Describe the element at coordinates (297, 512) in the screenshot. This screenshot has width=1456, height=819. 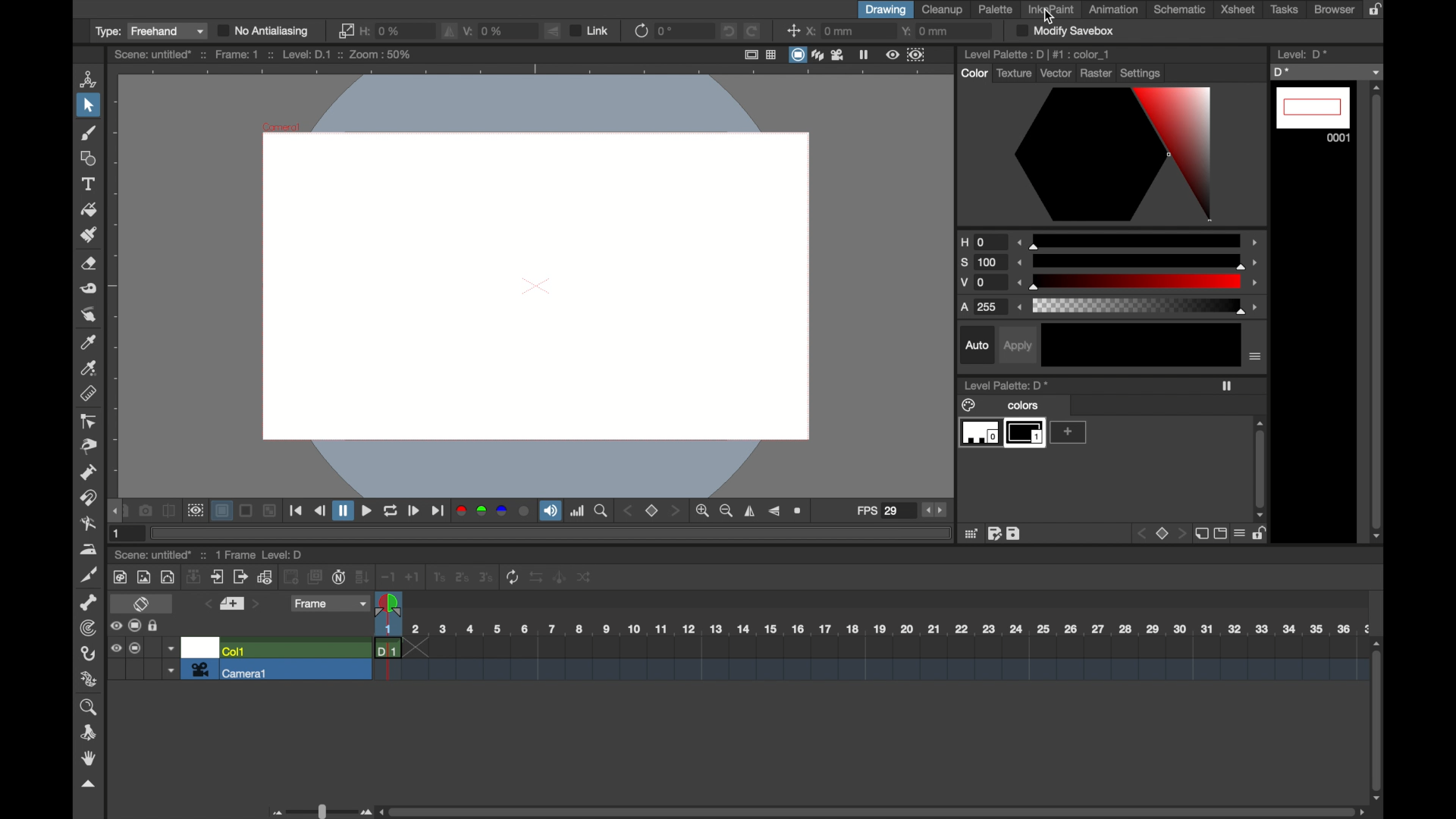
I see `first frame` at that location.